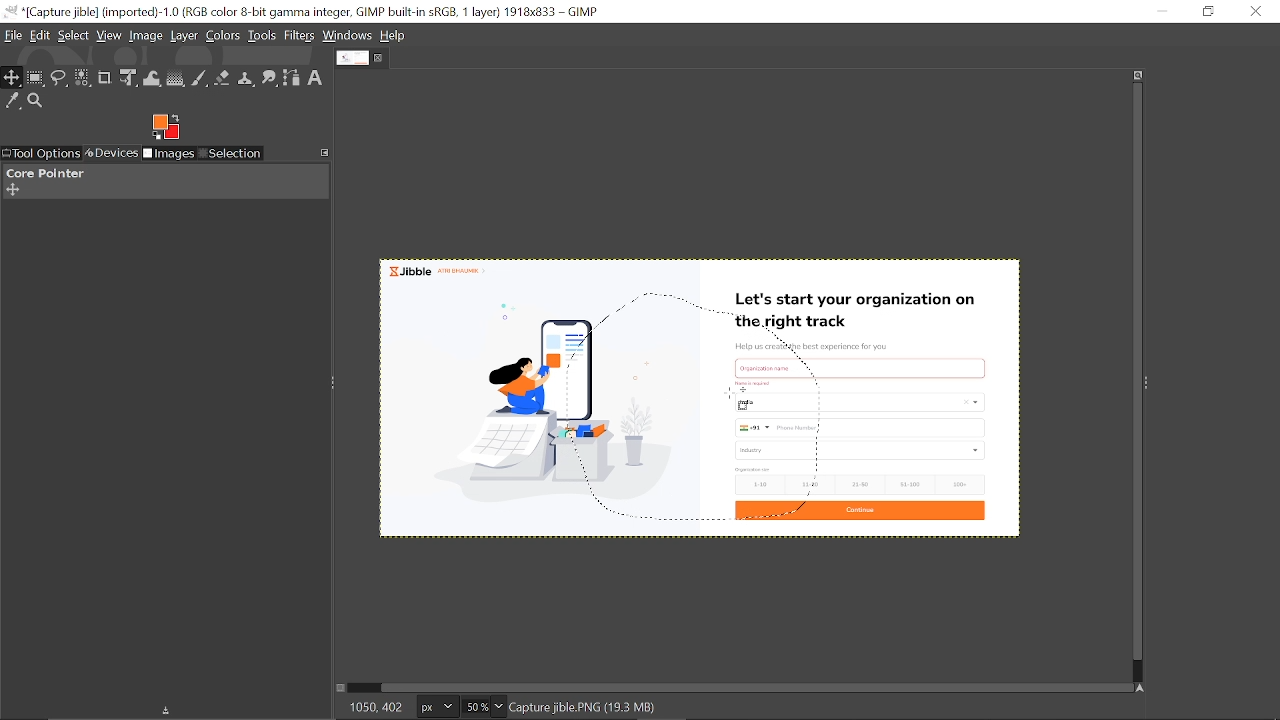 This screenshot has height=720, width=1280. Describe the element at coordinates (474, 707) in the screenshot. I see `Current Zoom` at that location.